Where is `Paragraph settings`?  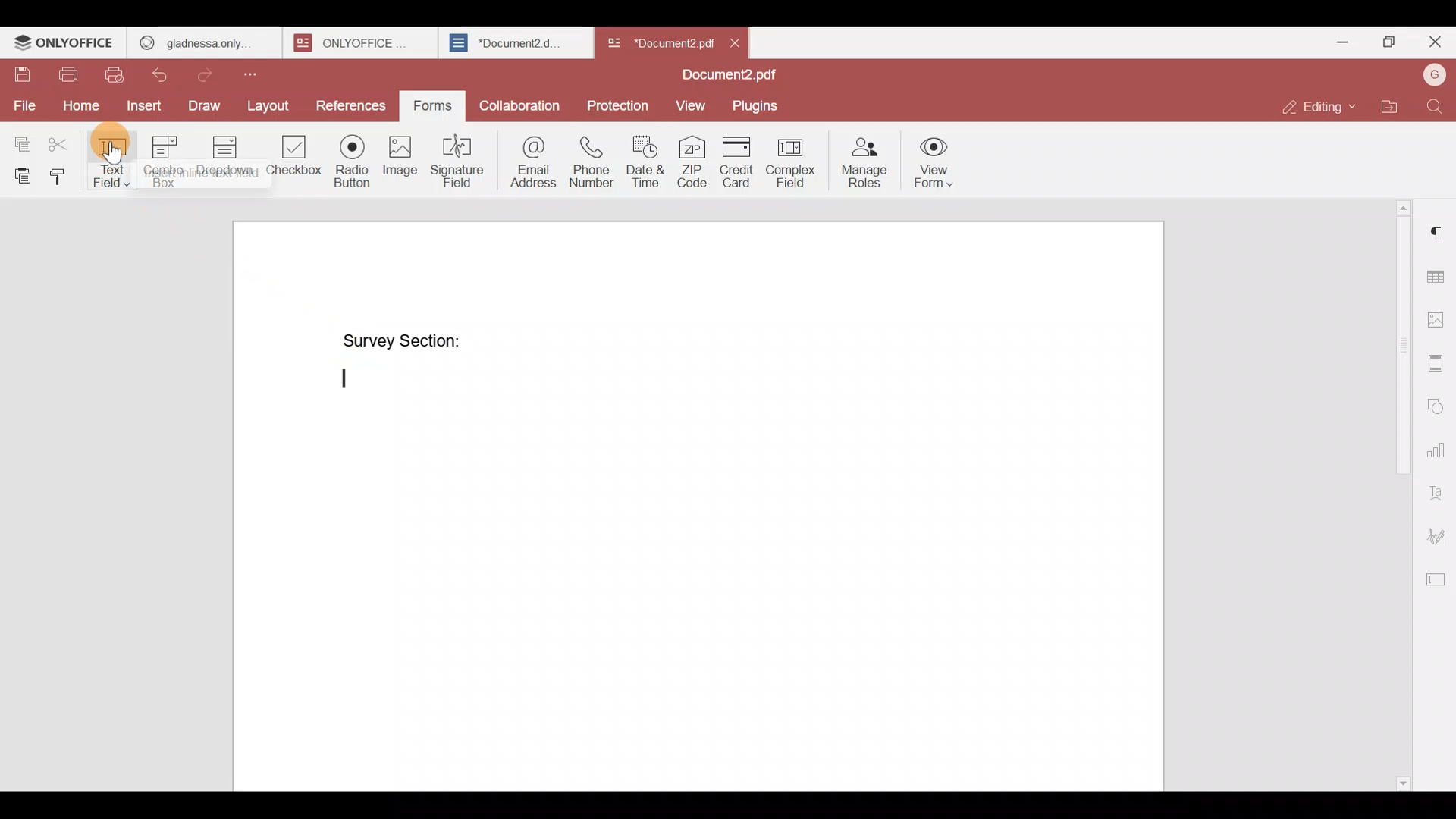
Paragraph settings is located at coordinates (1439, 227).